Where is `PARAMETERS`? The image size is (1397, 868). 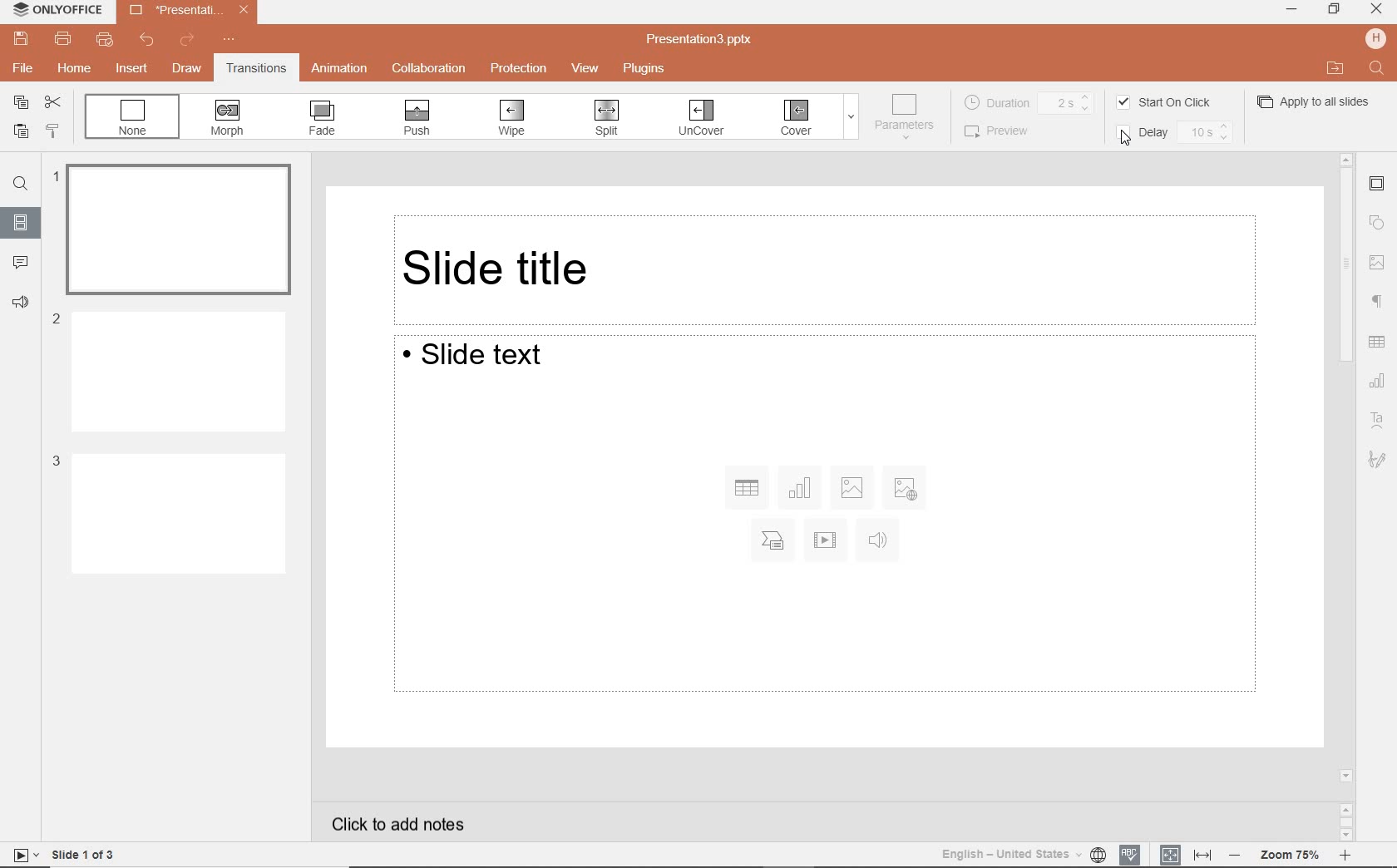
PARAMETERS is located at coordinates (908, 117).